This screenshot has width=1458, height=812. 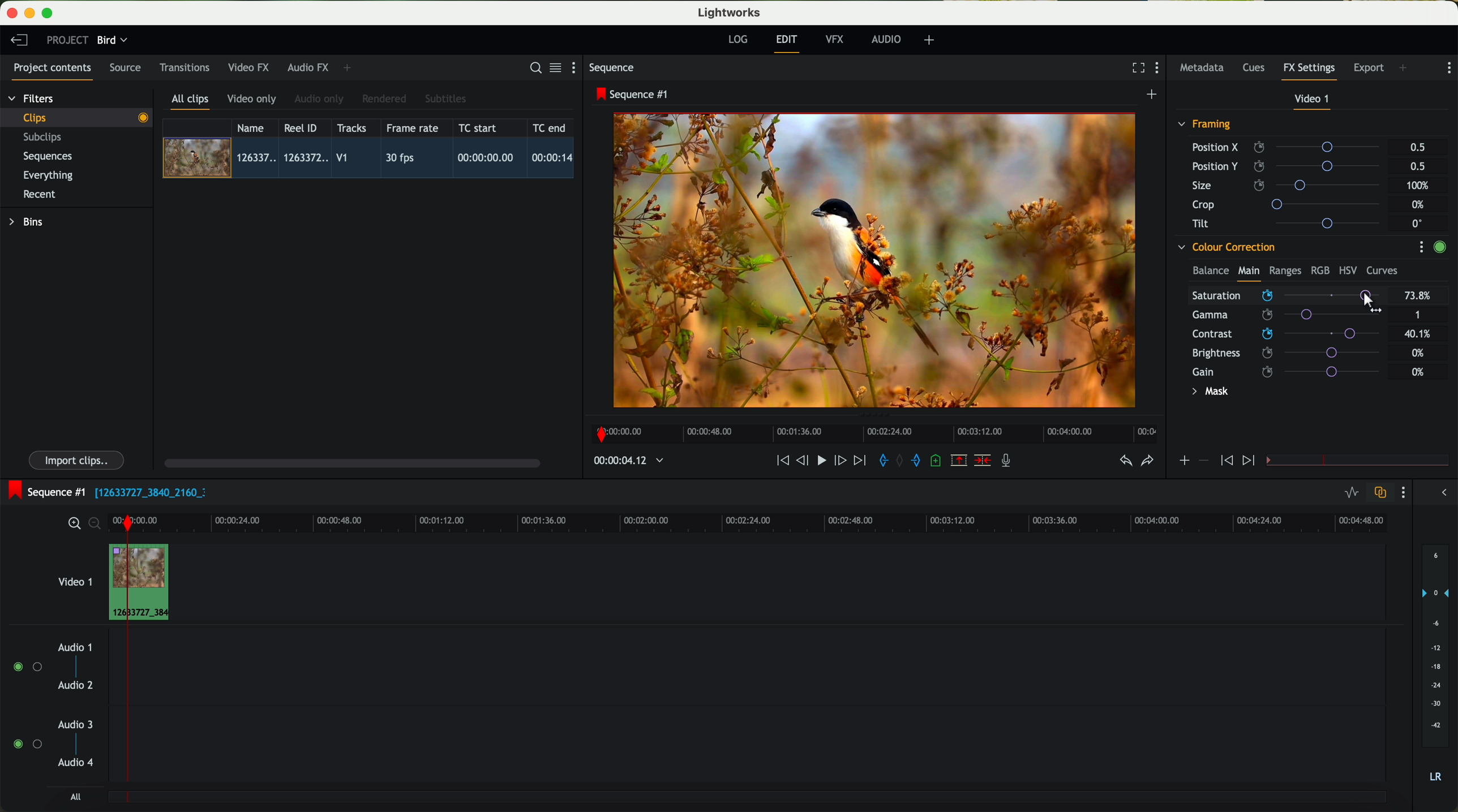 What do you see at coordinates (1406, 69) in the screenshot?
I see `add panel` at bounding box center [1406, 69].